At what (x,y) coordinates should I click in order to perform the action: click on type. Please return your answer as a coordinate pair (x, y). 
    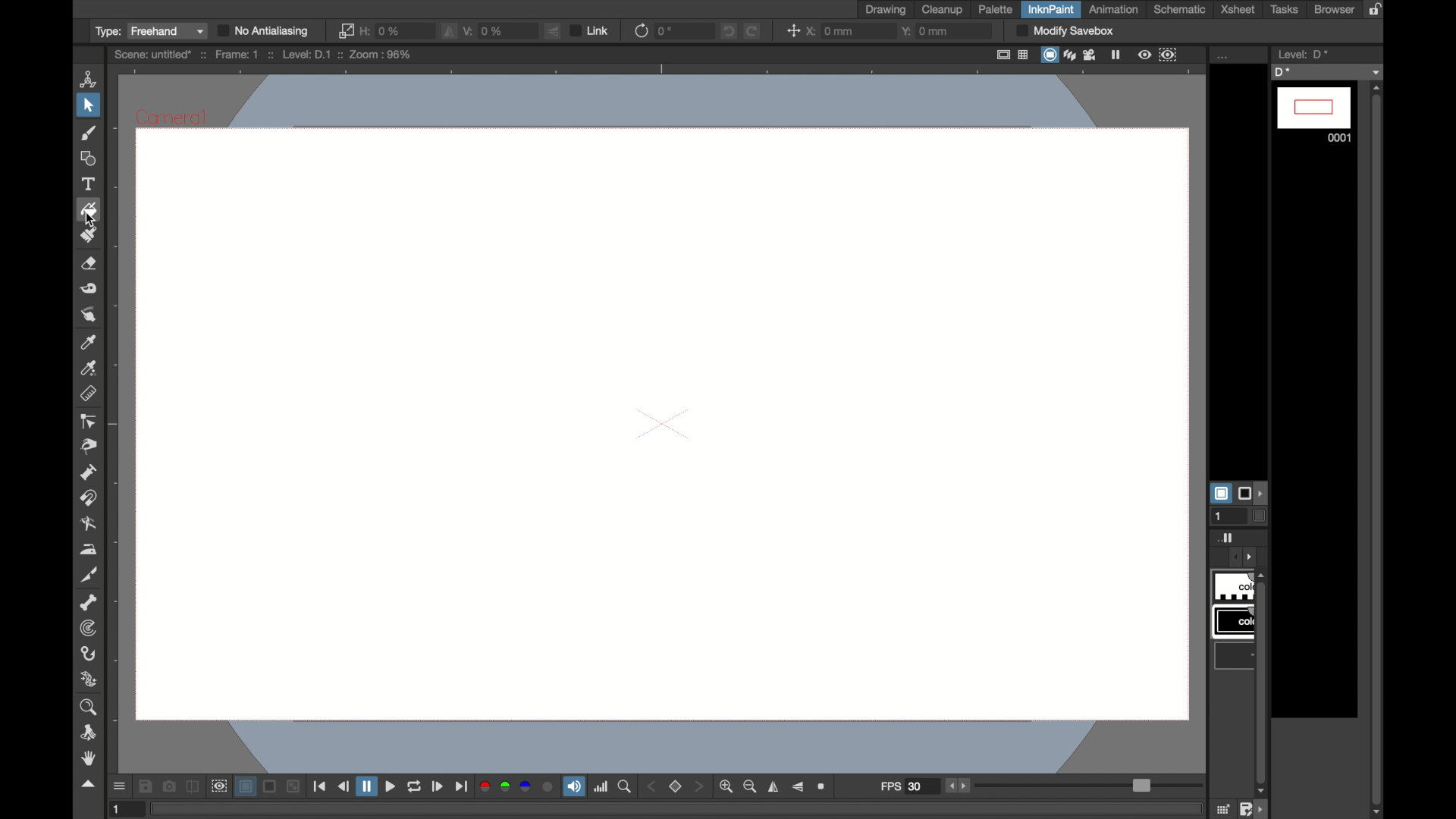
    Looking at the image, I should click on (105, 31).